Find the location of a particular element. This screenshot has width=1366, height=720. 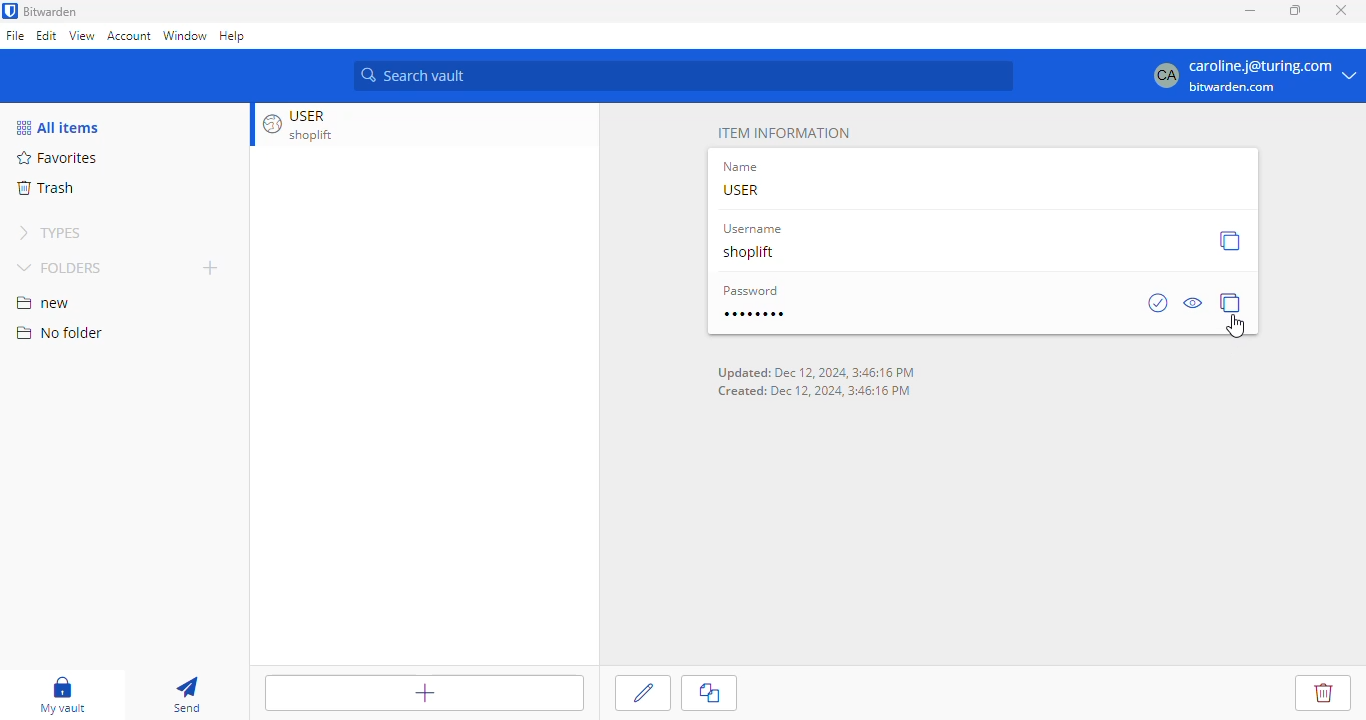

item information is located at coordinates (783, 133).